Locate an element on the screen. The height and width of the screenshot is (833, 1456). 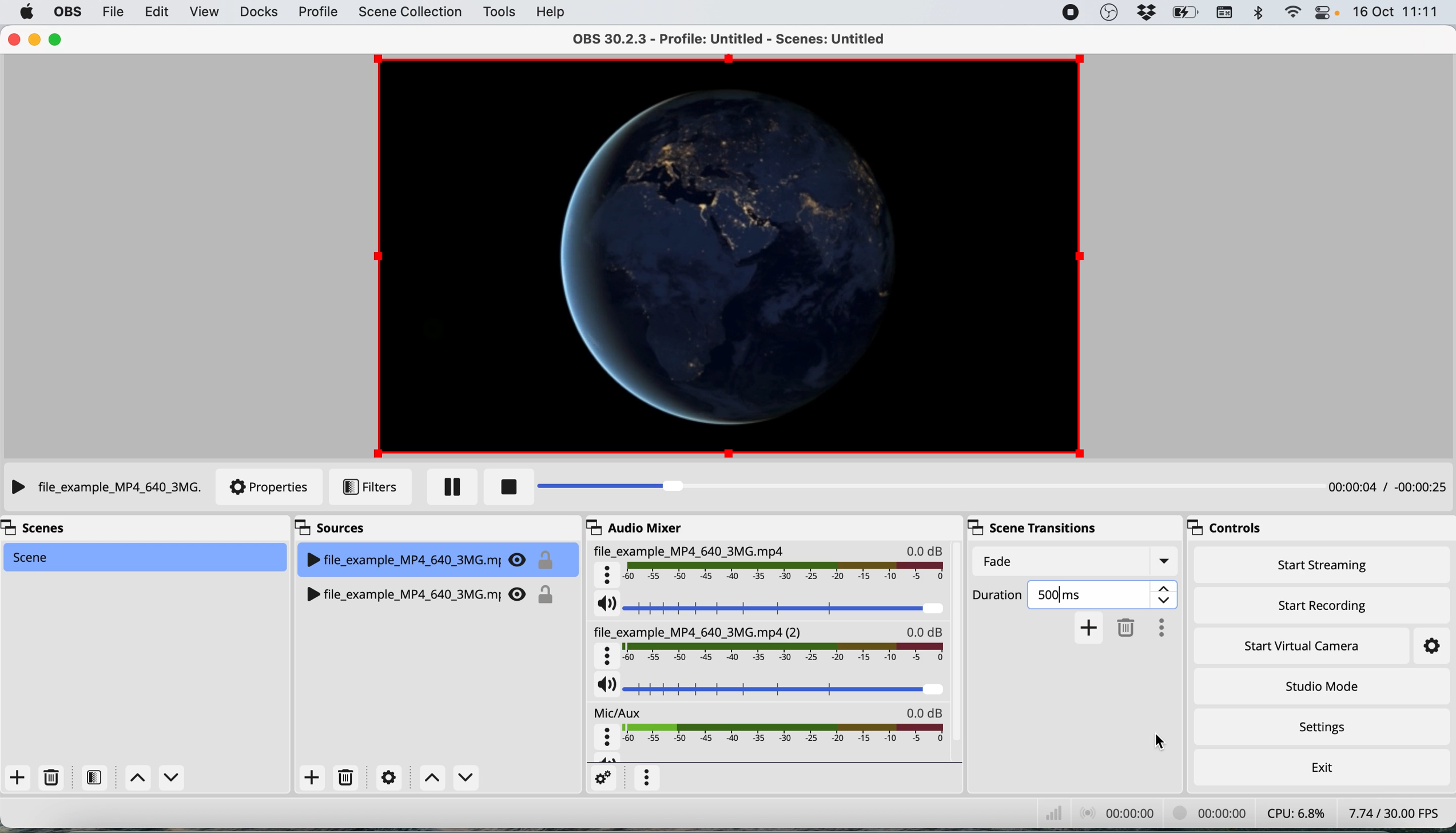
scene transitions is located at coordinates (1027, 527).